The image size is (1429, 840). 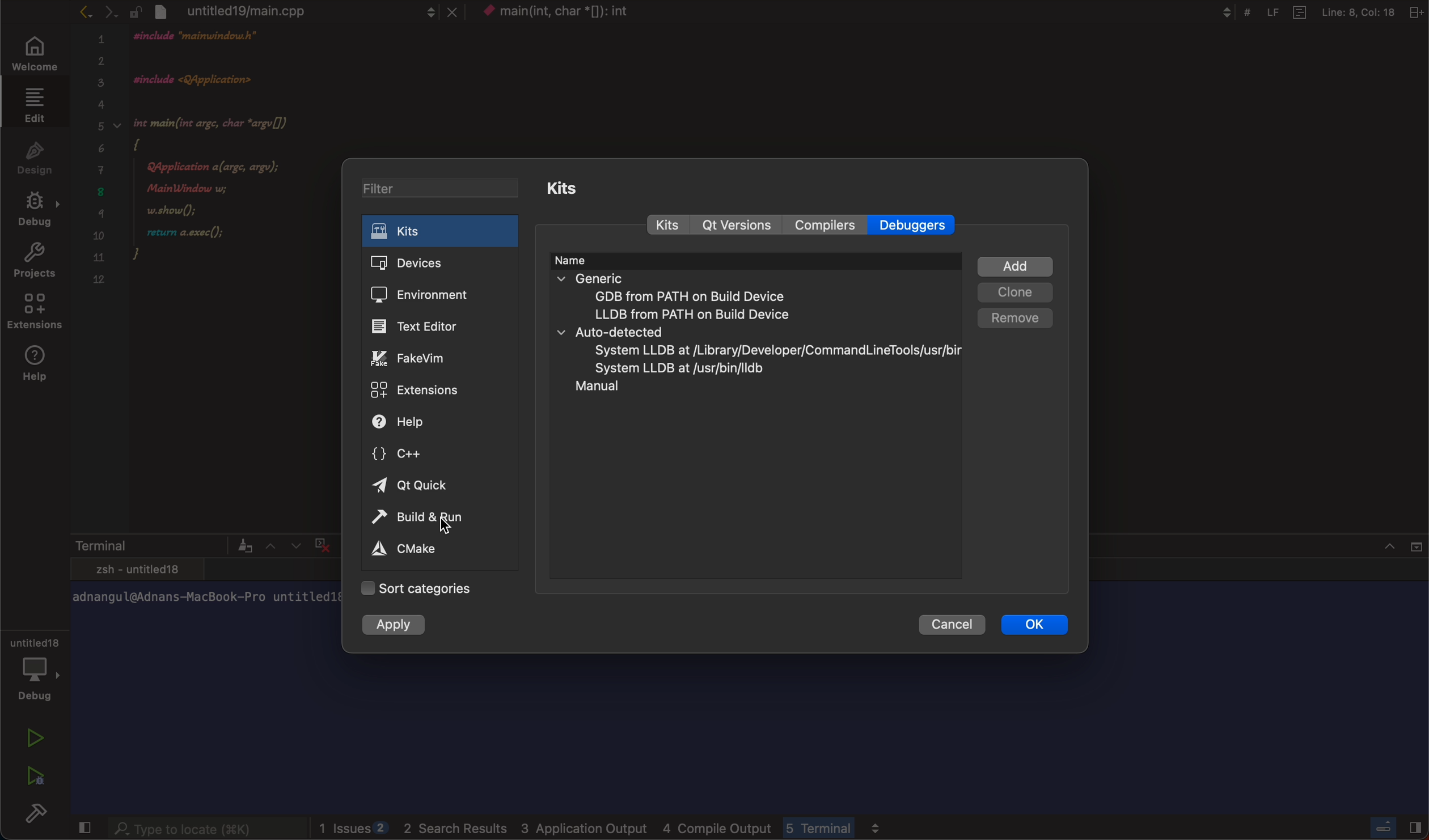 What do you see at coordinates (421, 326) in the screenshot?
I see `editor` at bounding box center [421, 326].